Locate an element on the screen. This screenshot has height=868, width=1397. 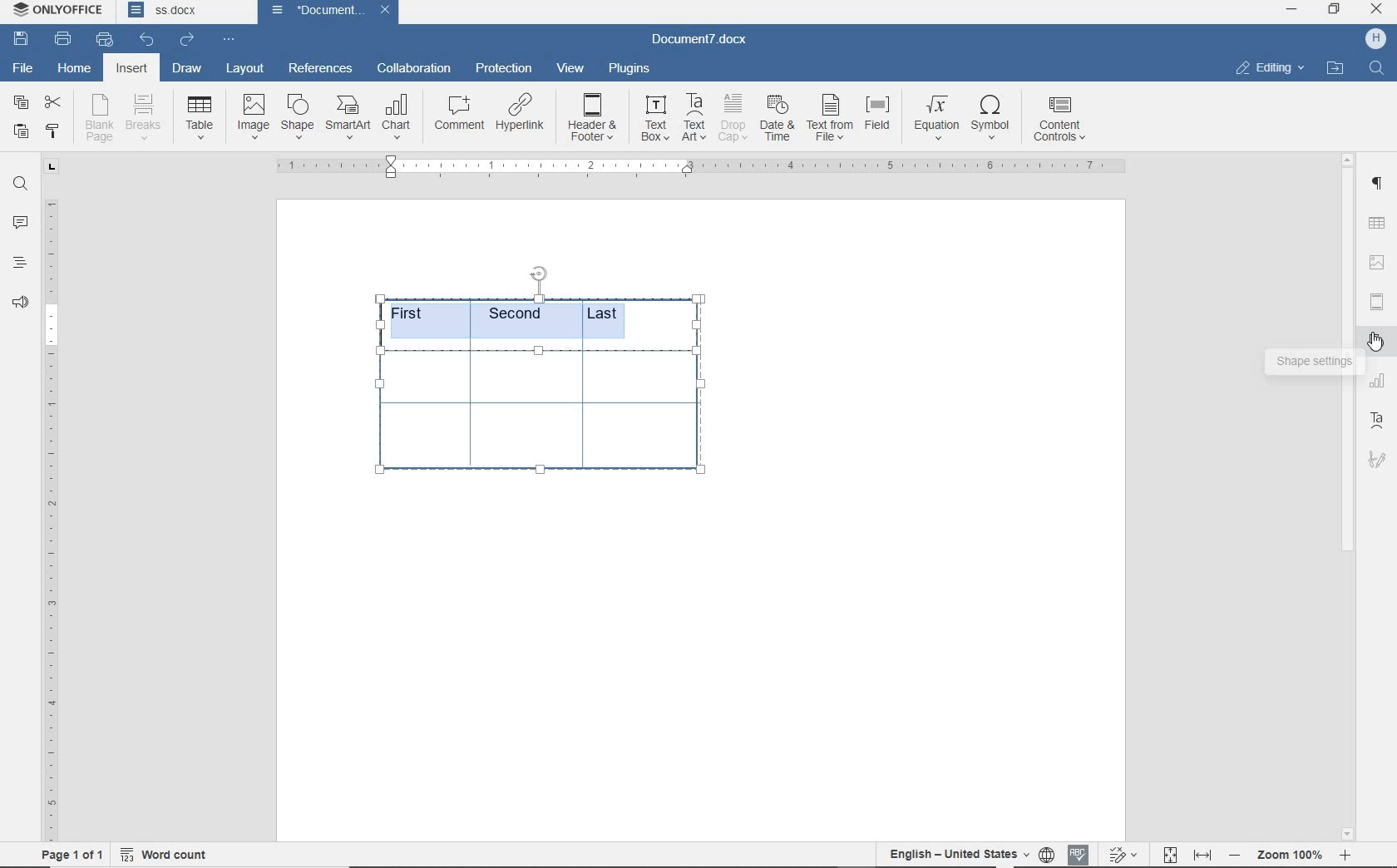
header & footer is located at coordinates (593, 118).